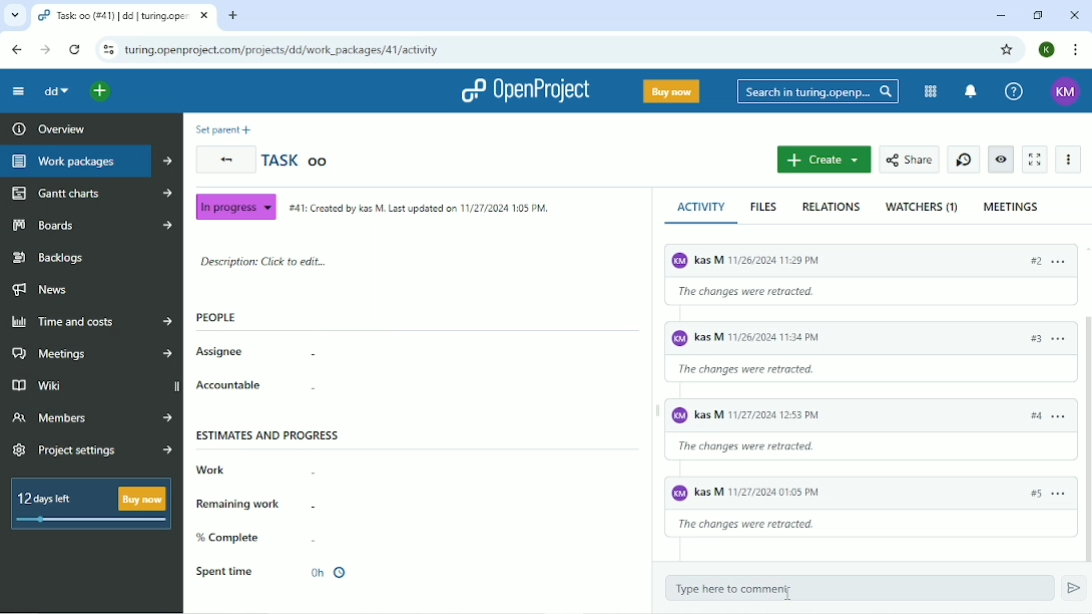 The width and height of the screenshot is (1092, 614). Describe the element at coordinates (1002, 159) in the screenshot. I see `Unwatch work package` at that location.